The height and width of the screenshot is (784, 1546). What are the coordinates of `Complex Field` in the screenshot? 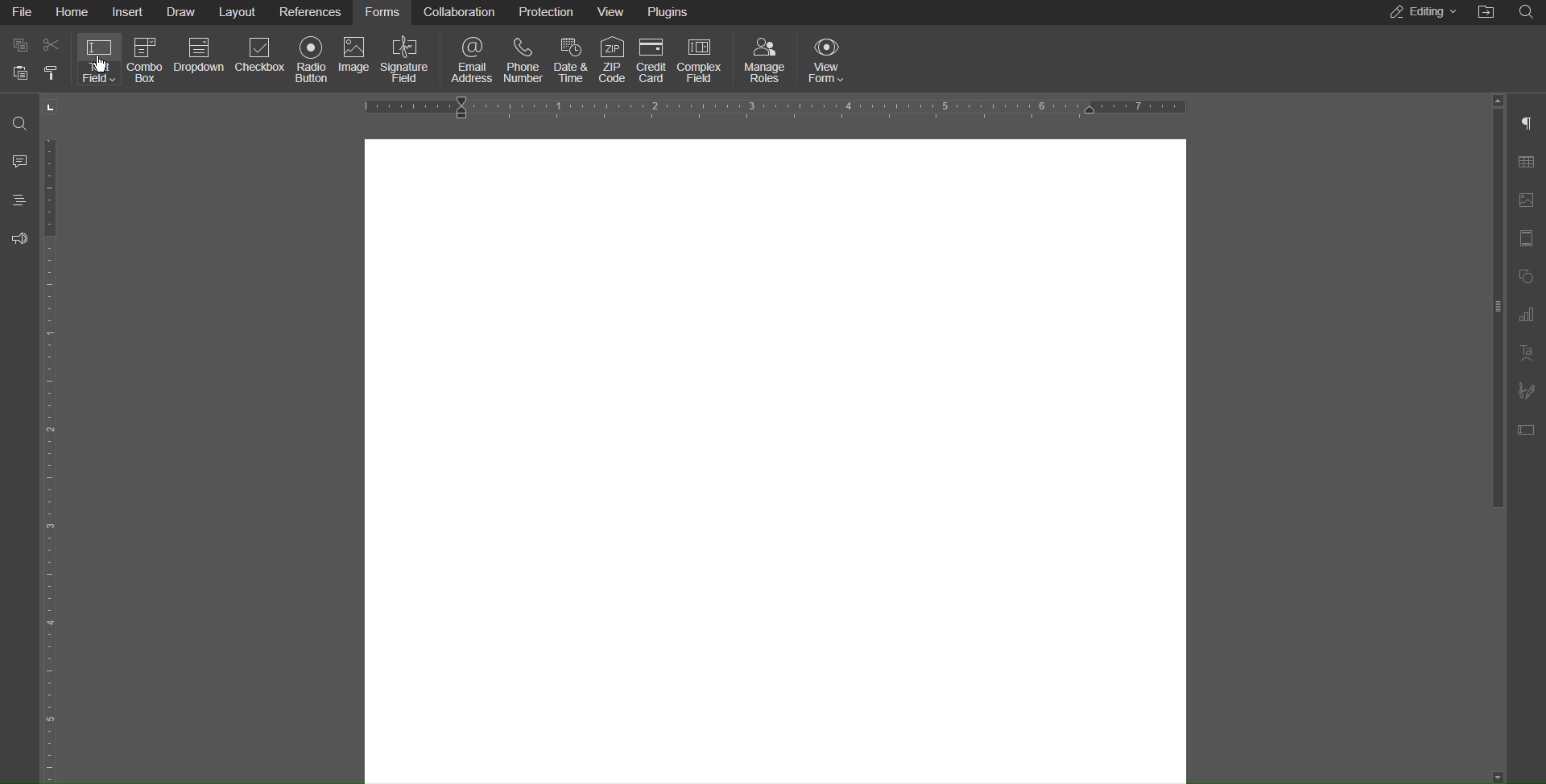 It's located at (701, 61).